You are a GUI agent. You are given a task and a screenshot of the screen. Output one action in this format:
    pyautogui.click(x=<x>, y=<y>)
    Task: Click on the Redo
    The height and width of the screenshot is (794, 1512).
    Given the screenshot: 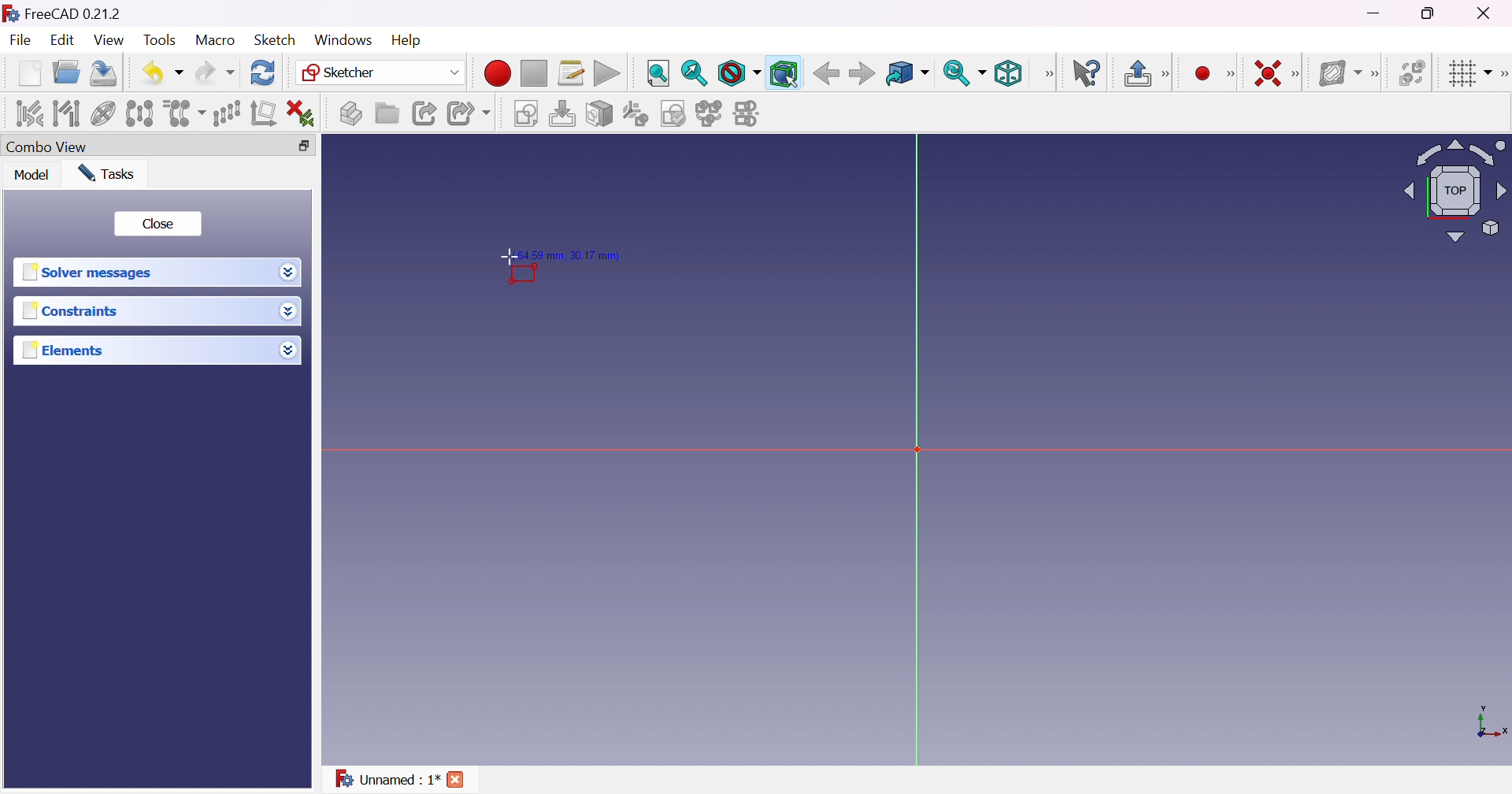 What is the action you would take?
    pyautogui.click(x=216, y=74)
    